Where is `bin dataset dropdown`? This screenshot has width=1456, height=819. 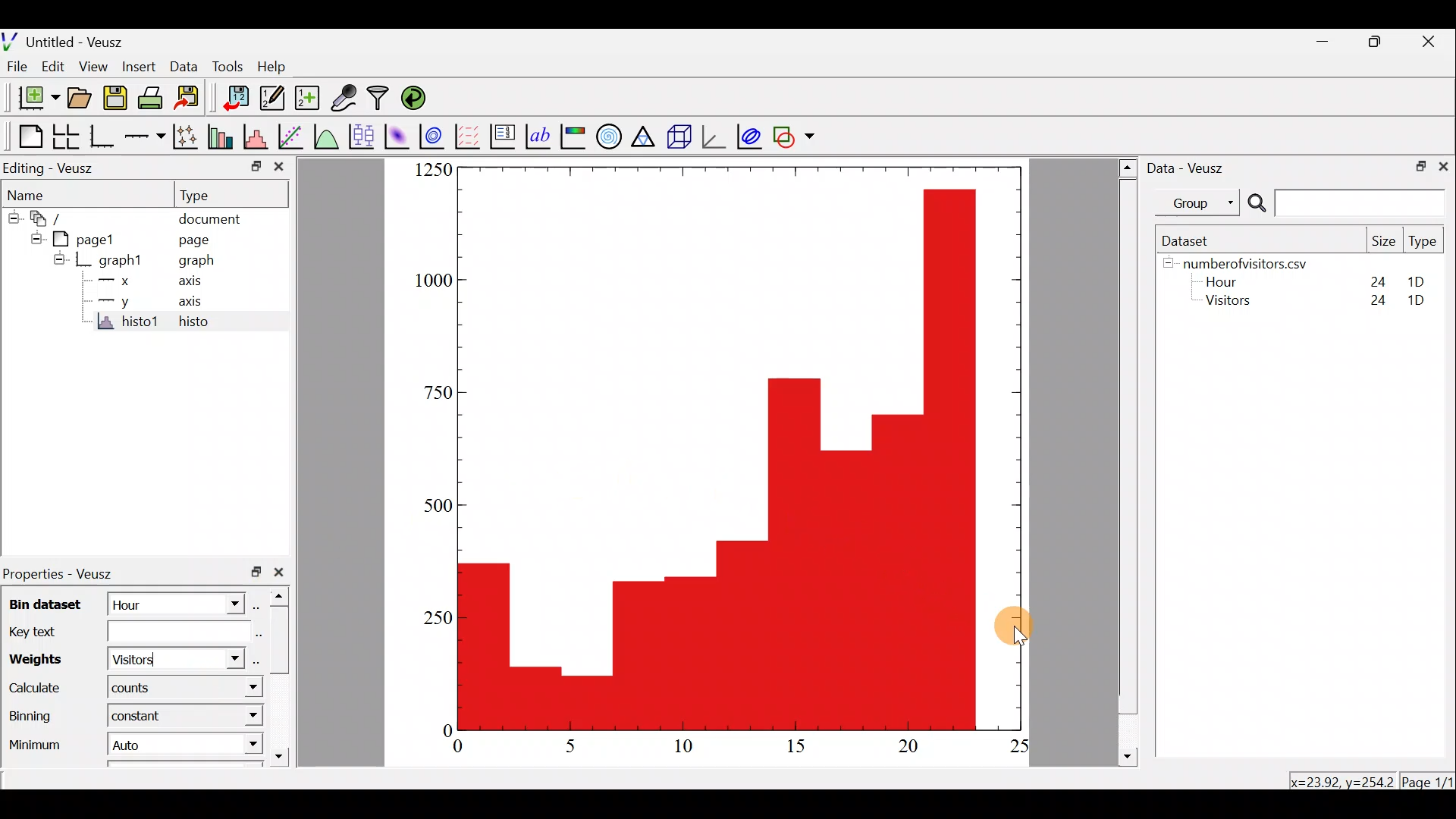 bin dataset dropdown is located at coordinates (217, 605).